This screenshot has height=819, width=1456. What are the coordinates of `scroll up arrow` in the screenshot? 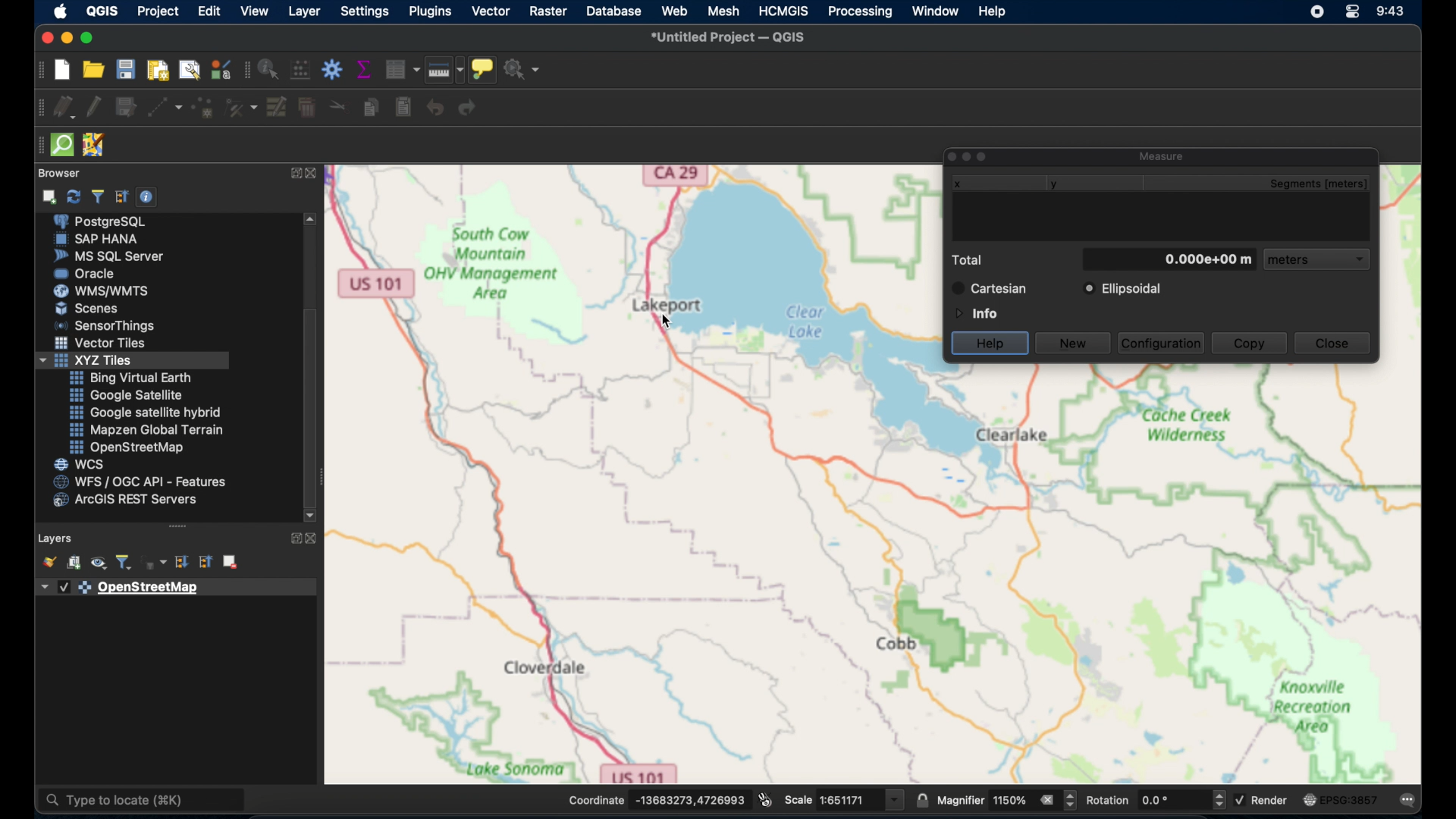 It's located at (312, 218).